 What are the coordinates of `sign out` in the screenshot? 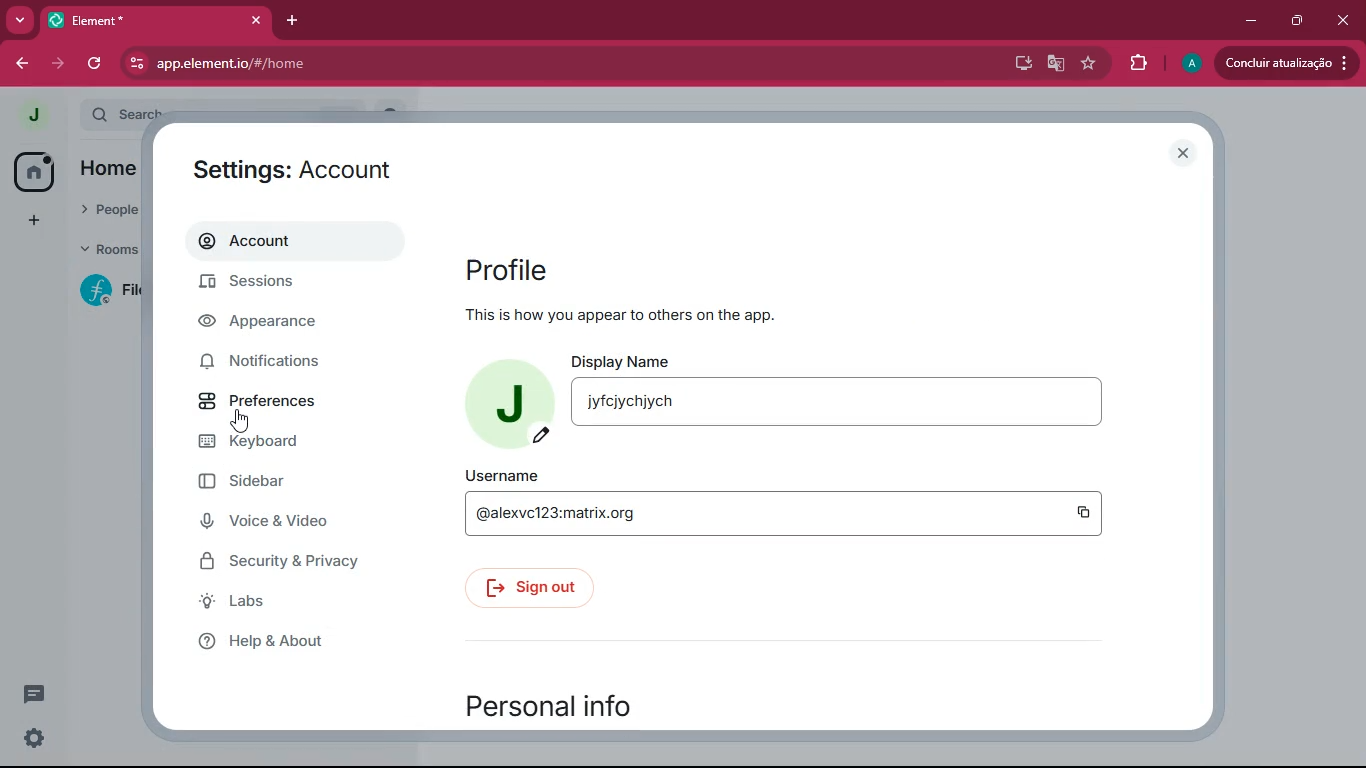 It's located at (530, 589).